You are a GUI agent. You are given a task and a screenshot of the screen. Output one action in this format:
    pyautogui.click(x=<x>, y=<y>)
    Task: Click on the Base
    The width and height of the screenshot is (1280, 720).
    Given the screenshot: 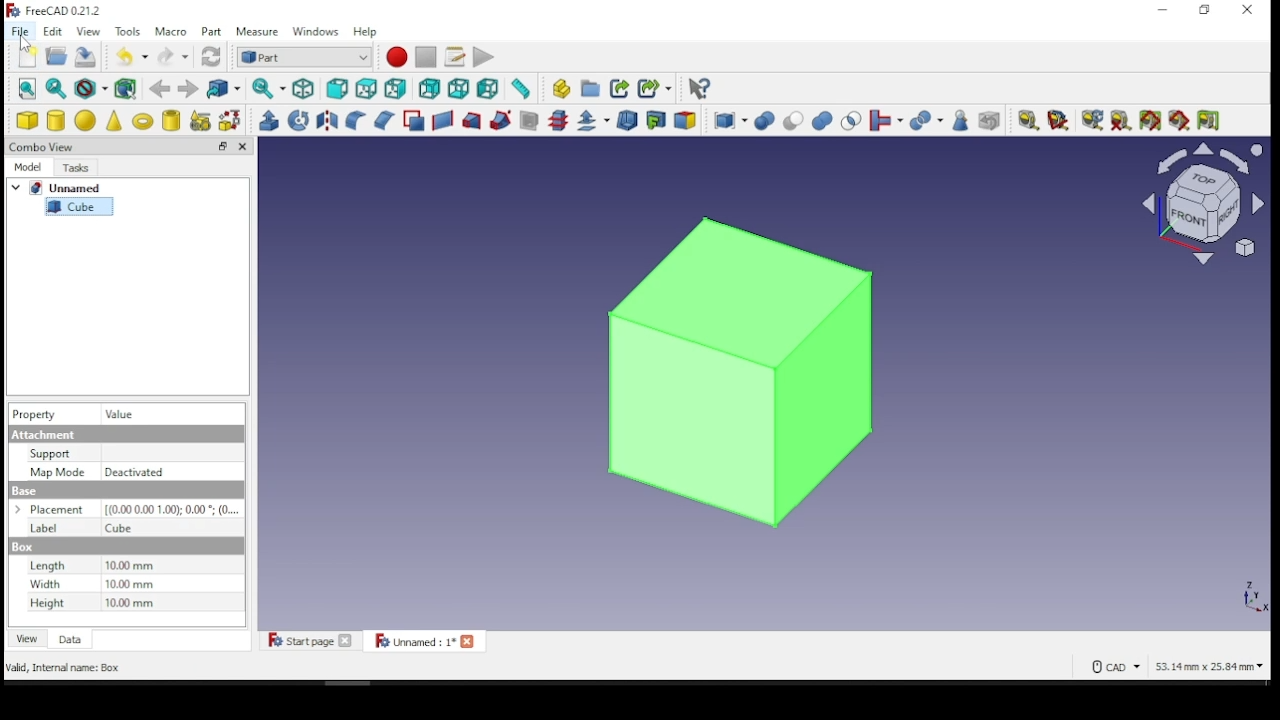 What is the action you would take?
    pyautogui.click(x=25, y=491)
    